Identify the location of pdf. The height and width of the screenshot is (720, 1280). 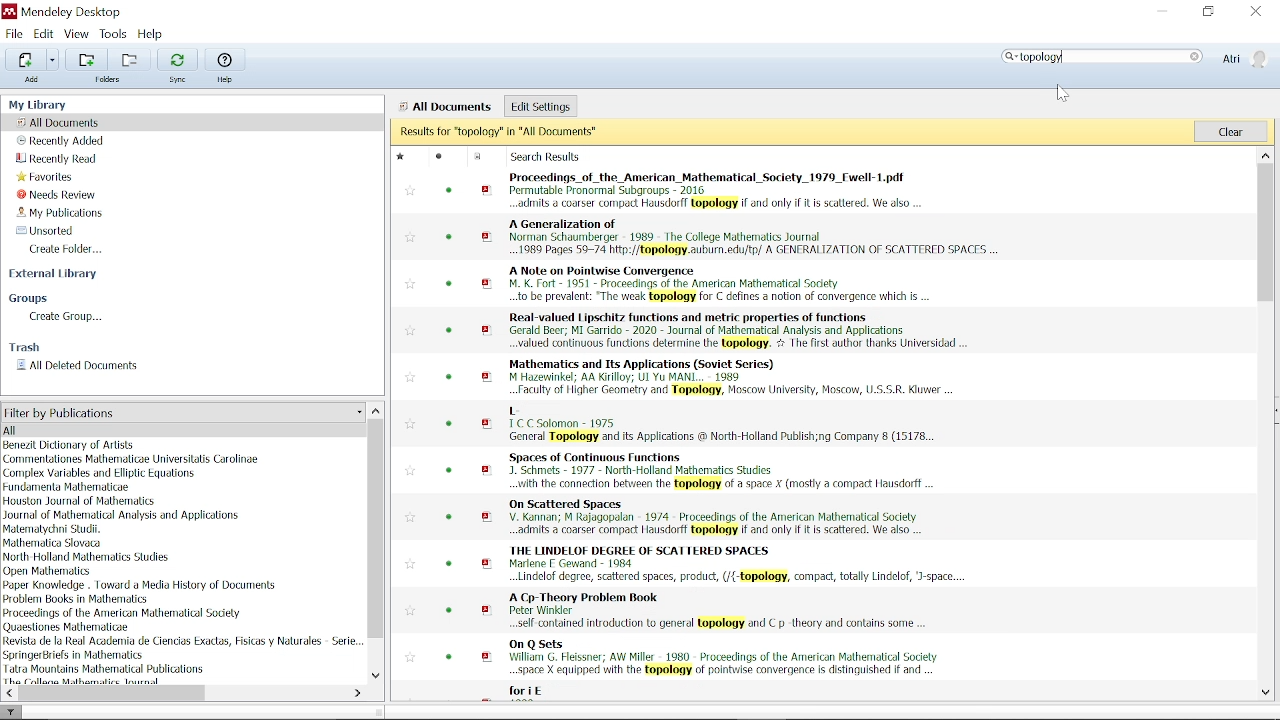
(487, 565).